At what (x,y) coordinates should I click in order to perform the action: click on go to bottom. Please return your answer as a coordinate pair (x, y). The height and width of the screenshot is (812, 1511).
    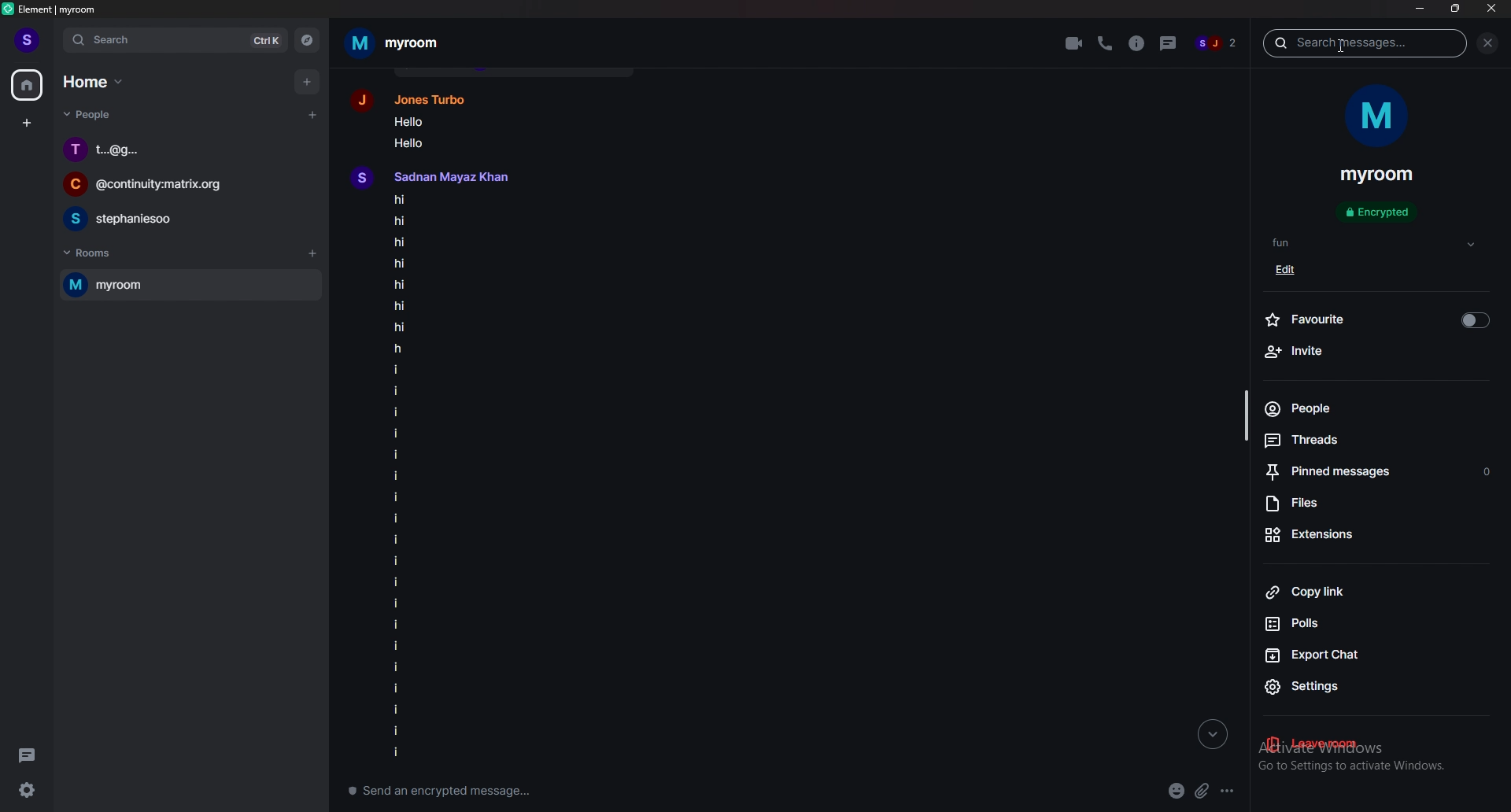
    Looking at the image, I should click on (1210, 734).